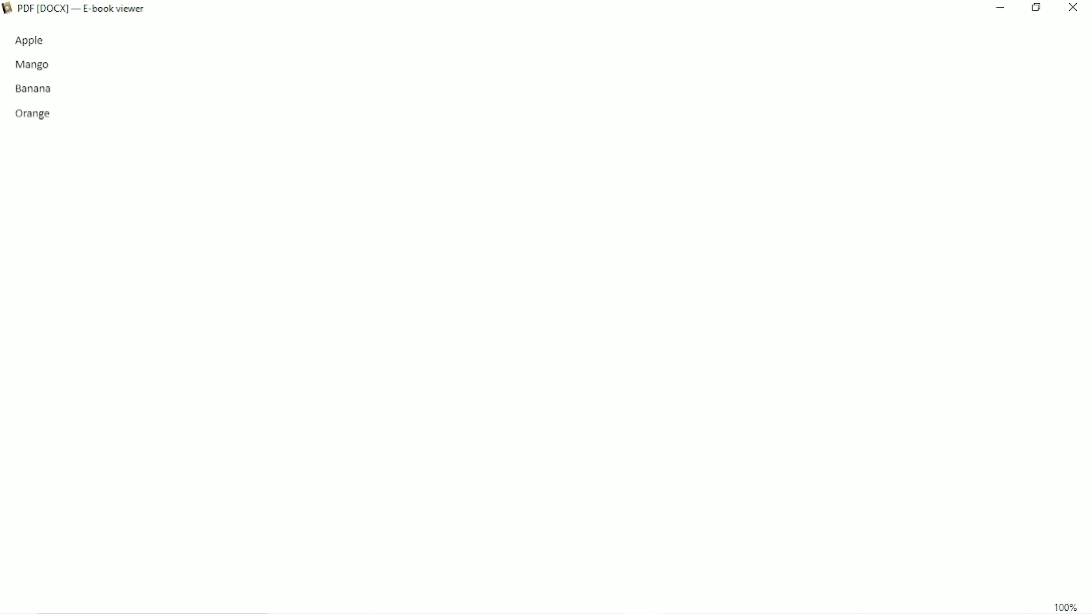 This screenshot has height=614, width=1092. I want to click on 100%, so click(1066, 607).